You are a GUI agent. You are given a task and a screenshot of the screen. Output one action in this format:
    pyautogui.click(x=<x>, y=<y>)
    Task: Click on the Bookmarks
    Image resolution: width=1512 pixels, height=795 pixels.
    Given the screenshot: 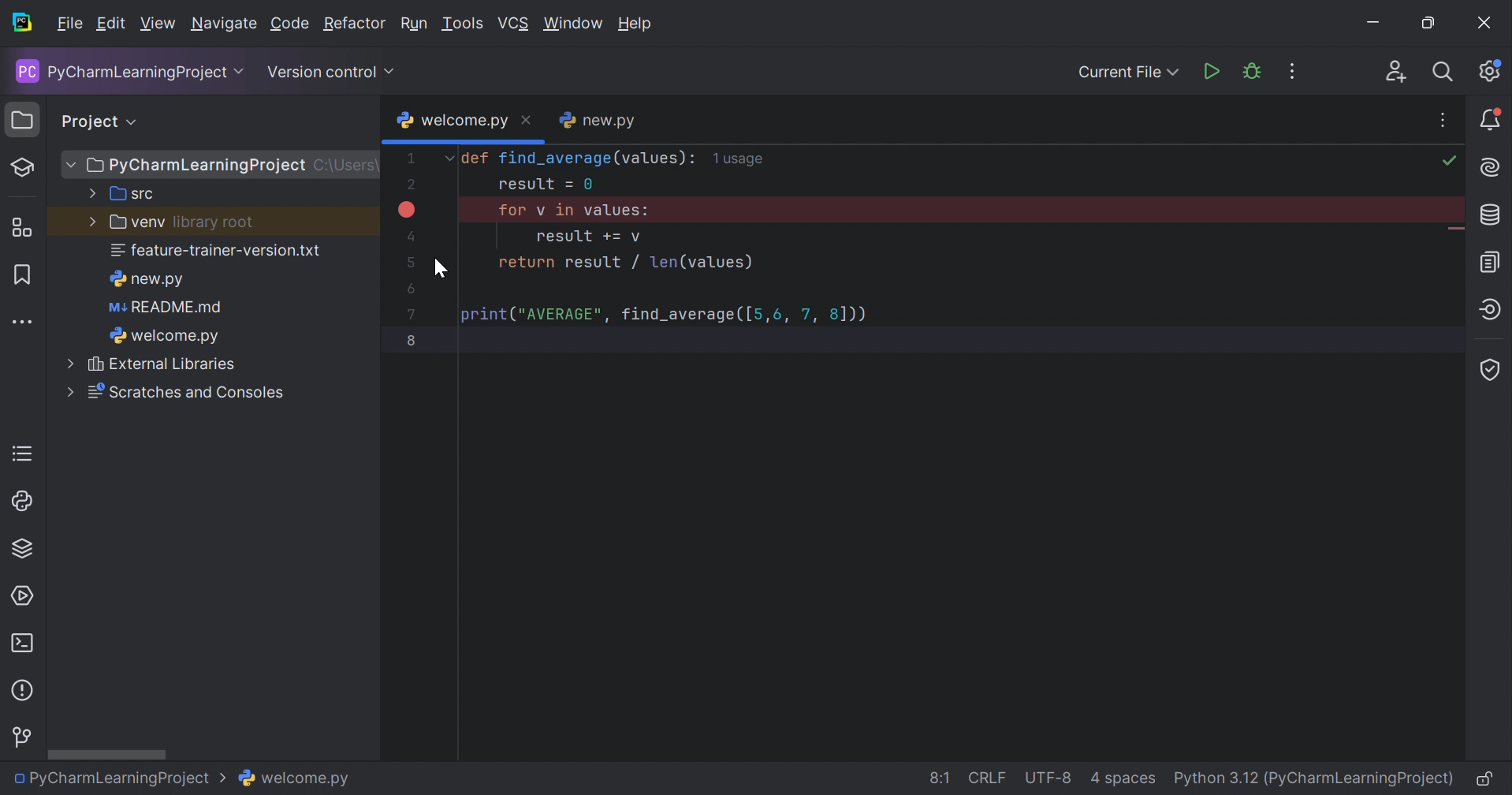 What is the action you would take?
    pyautogui.click(x=24, y=275)
    